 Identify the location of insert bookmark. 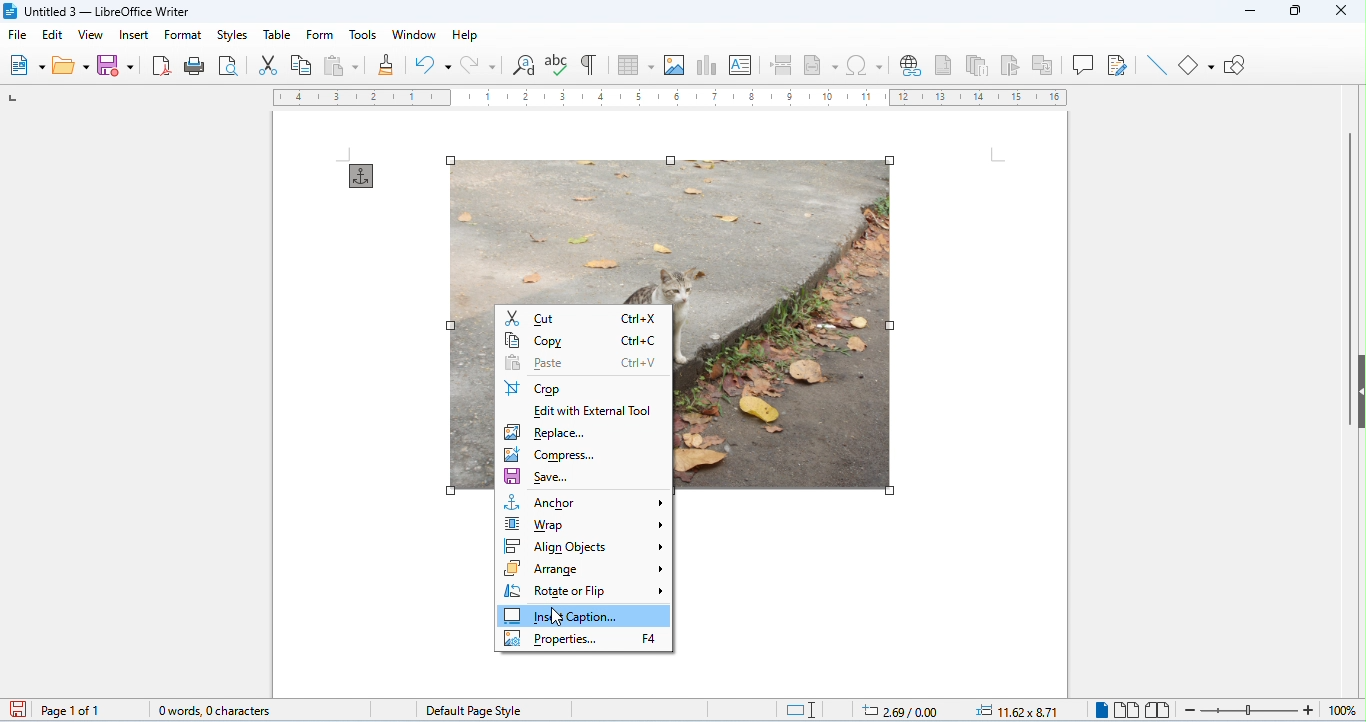
(1013, 65).